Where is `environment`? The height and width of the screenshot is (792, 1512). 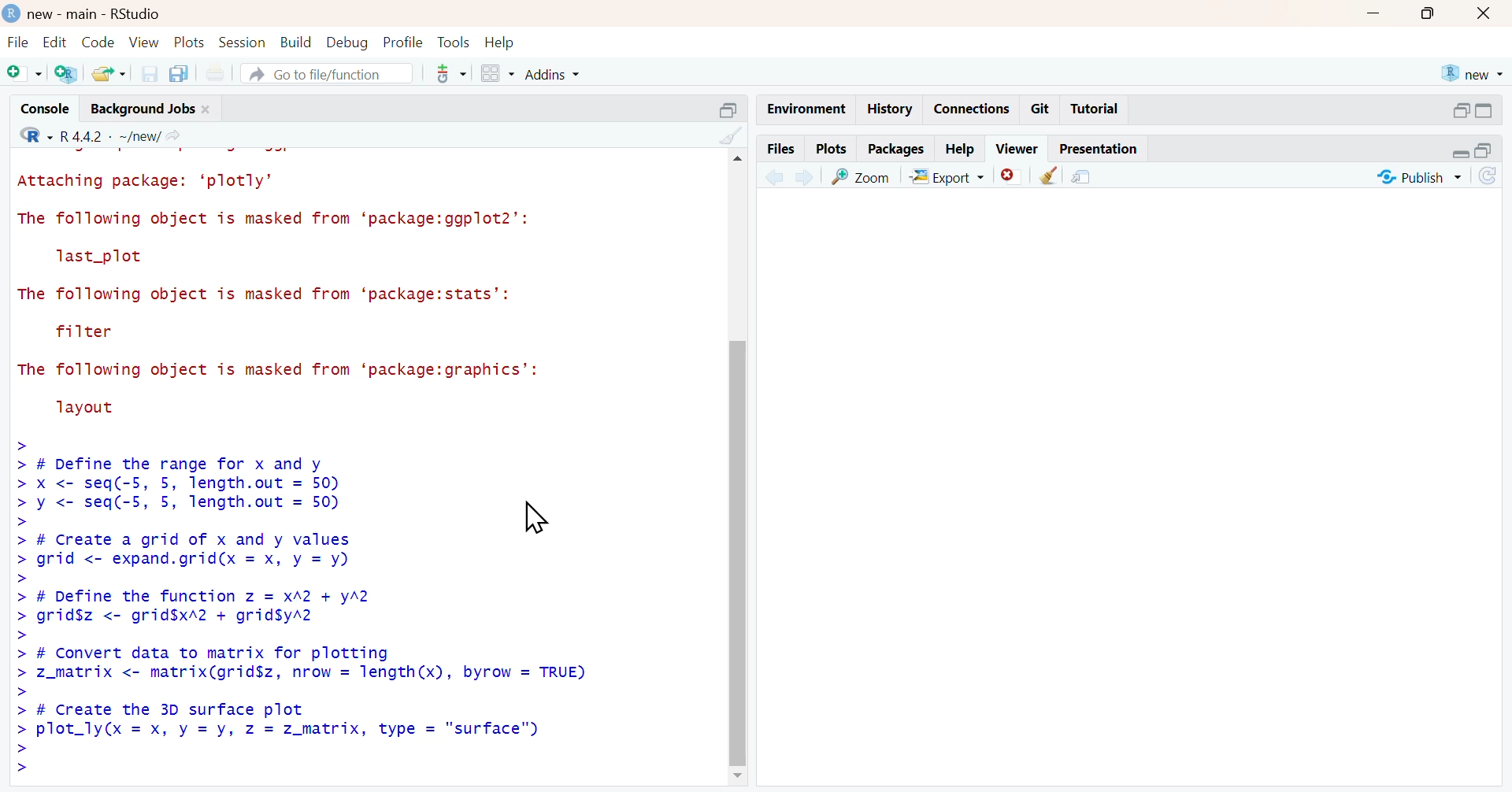 environment is located at coordinates (803, 108).